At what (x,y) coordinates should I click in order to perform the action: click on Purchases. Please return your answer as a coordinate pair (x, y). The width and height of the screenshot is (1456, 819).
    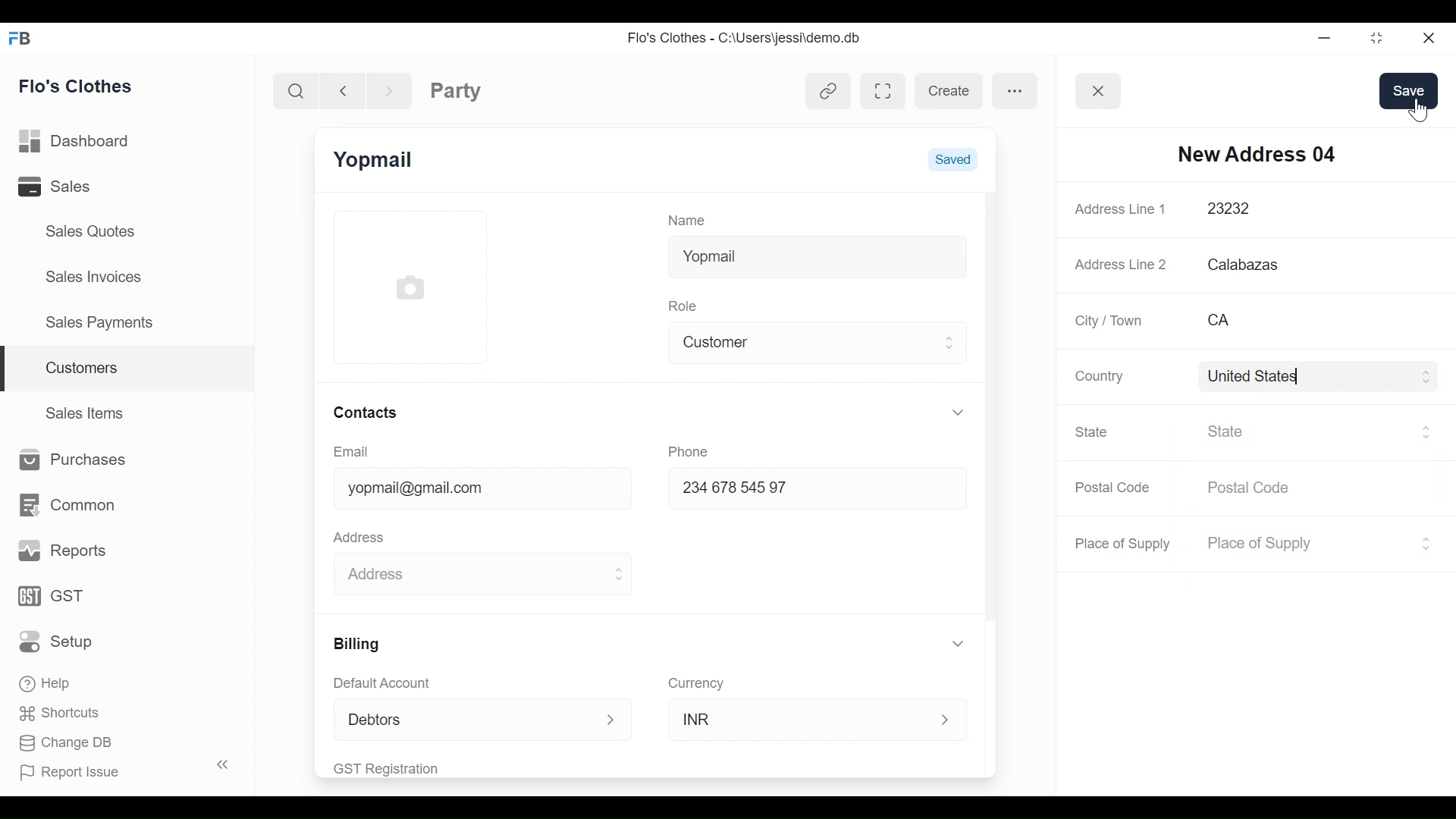
    Looking at the image, I should click on (68, 460).